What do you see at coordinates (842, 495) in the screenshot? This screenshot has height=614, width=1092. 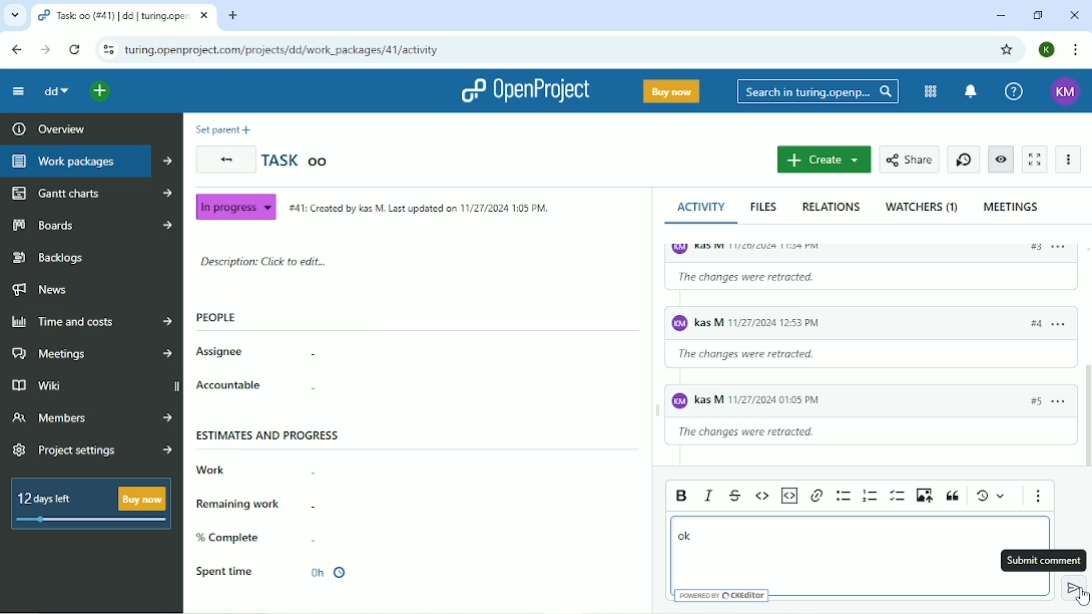 I see `Bulleted list` at bounding box center [842, 495].